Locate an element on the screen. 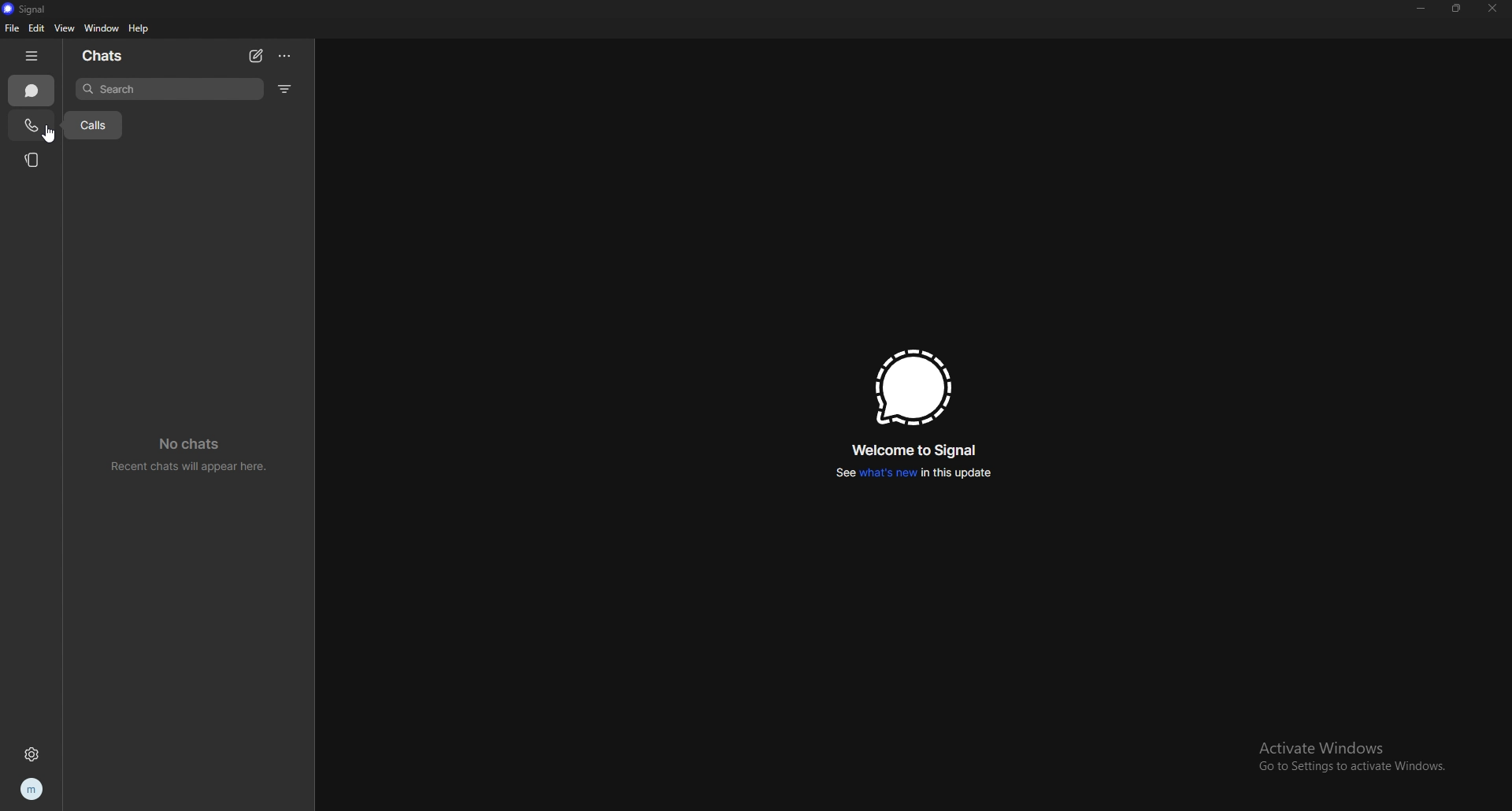 The image size is (1512, 811). close is located at coordinates (1492, 9).